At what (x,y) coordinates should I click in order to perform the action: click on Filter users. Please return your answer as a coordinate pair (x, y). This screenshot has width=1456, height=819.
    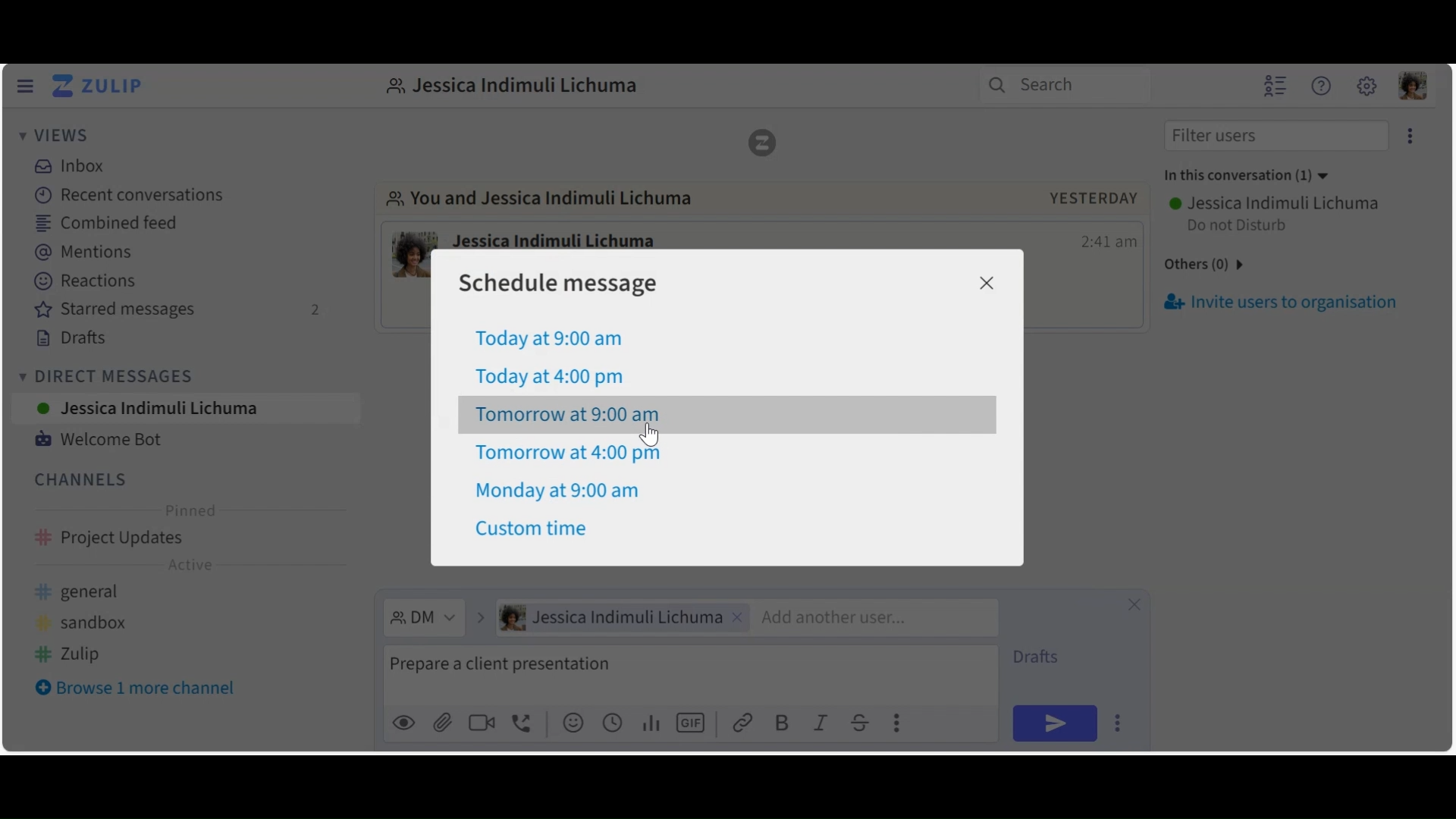
    Looking at the image, I should click on (1275, 135).